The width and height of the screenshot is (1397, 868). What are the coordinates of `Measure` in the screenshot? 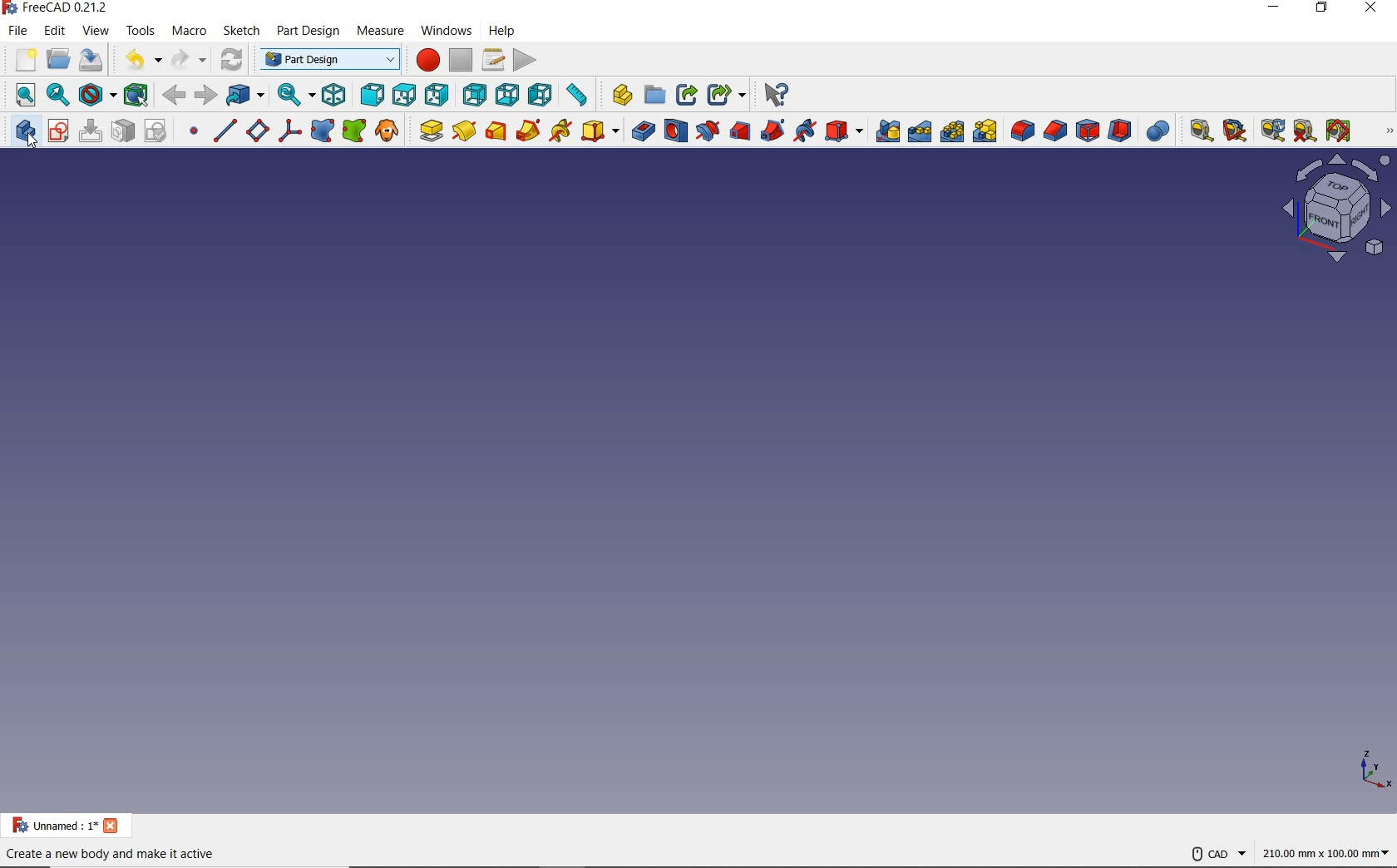 It's located at (621, 96).